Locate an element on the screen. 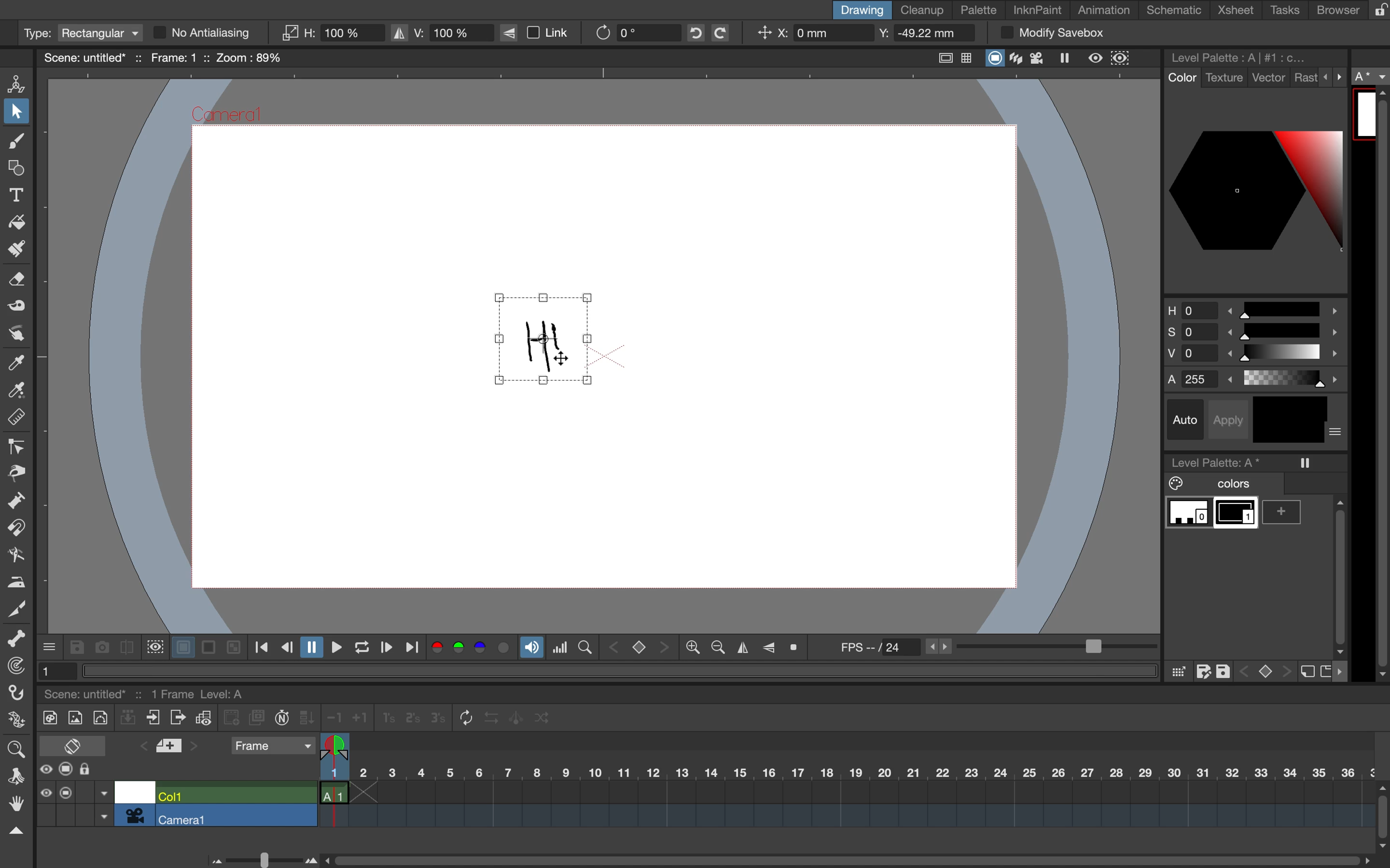 The height and width of the screenshot is (868, 1390). color is located at coordinates (1180, 78).